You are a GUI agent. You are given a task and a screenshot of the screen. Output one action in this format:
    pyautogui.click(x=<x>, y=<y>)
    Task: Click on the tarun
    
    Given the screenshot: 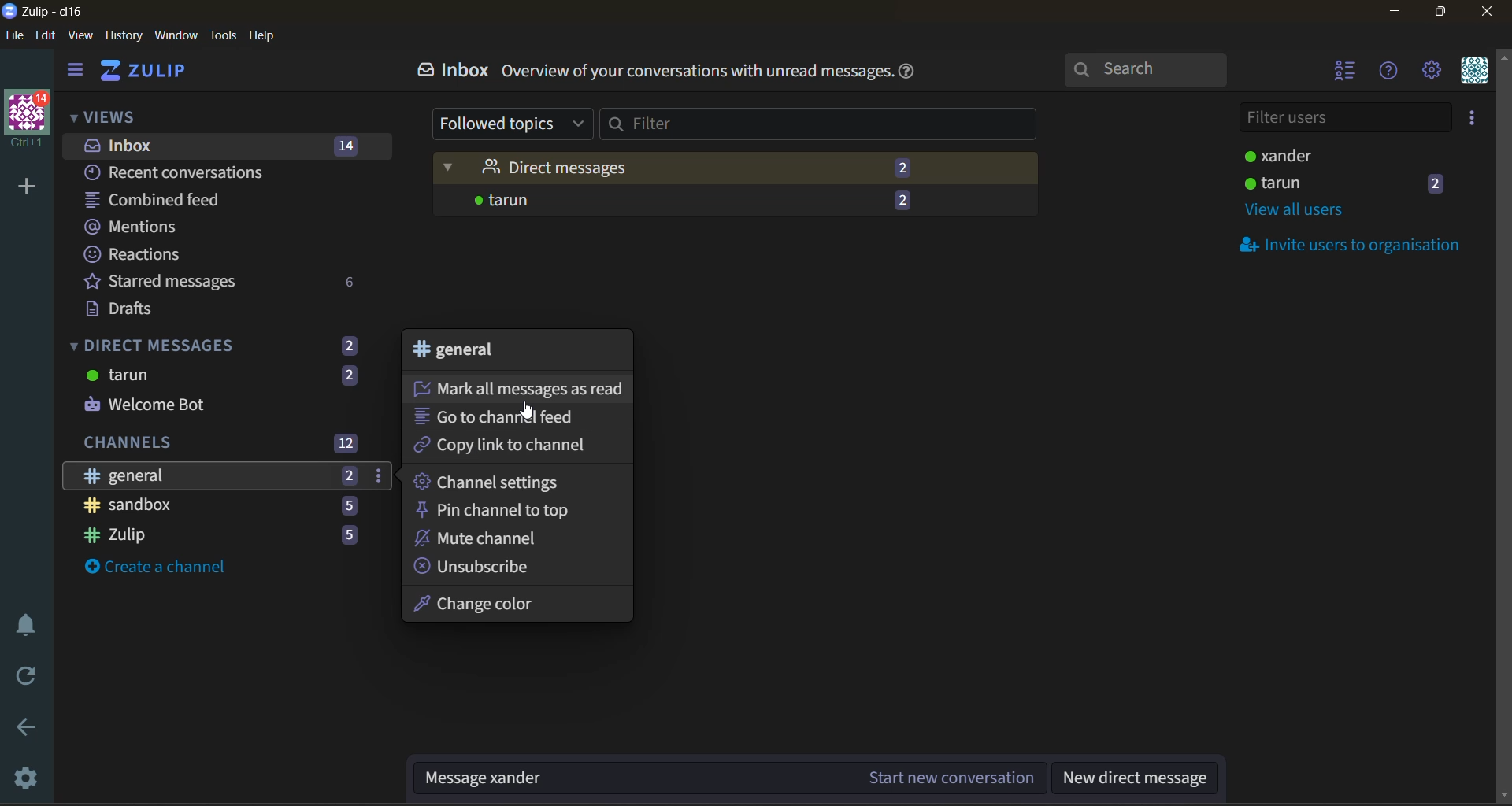 What is the action you would take?
    pyautogui.click(x=223, y=377)
    